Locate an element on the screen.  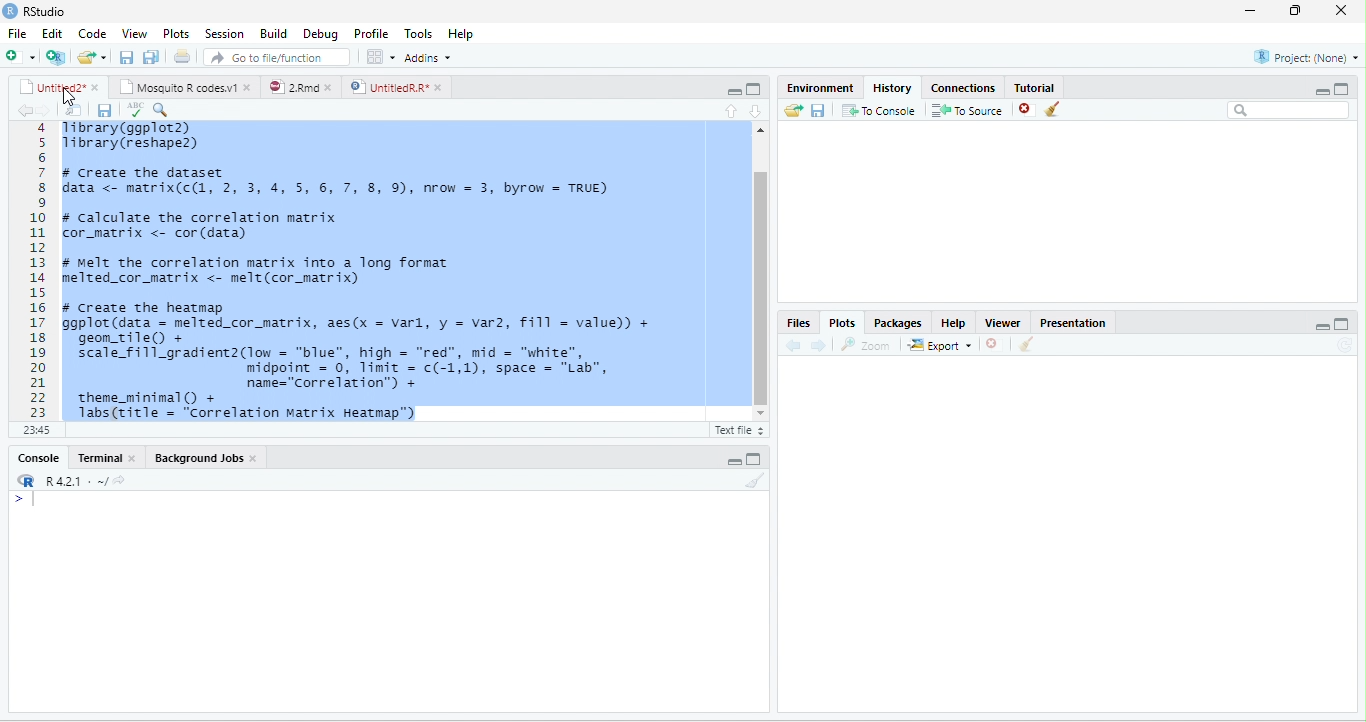
RStudio is located at coordinates (48, 12).